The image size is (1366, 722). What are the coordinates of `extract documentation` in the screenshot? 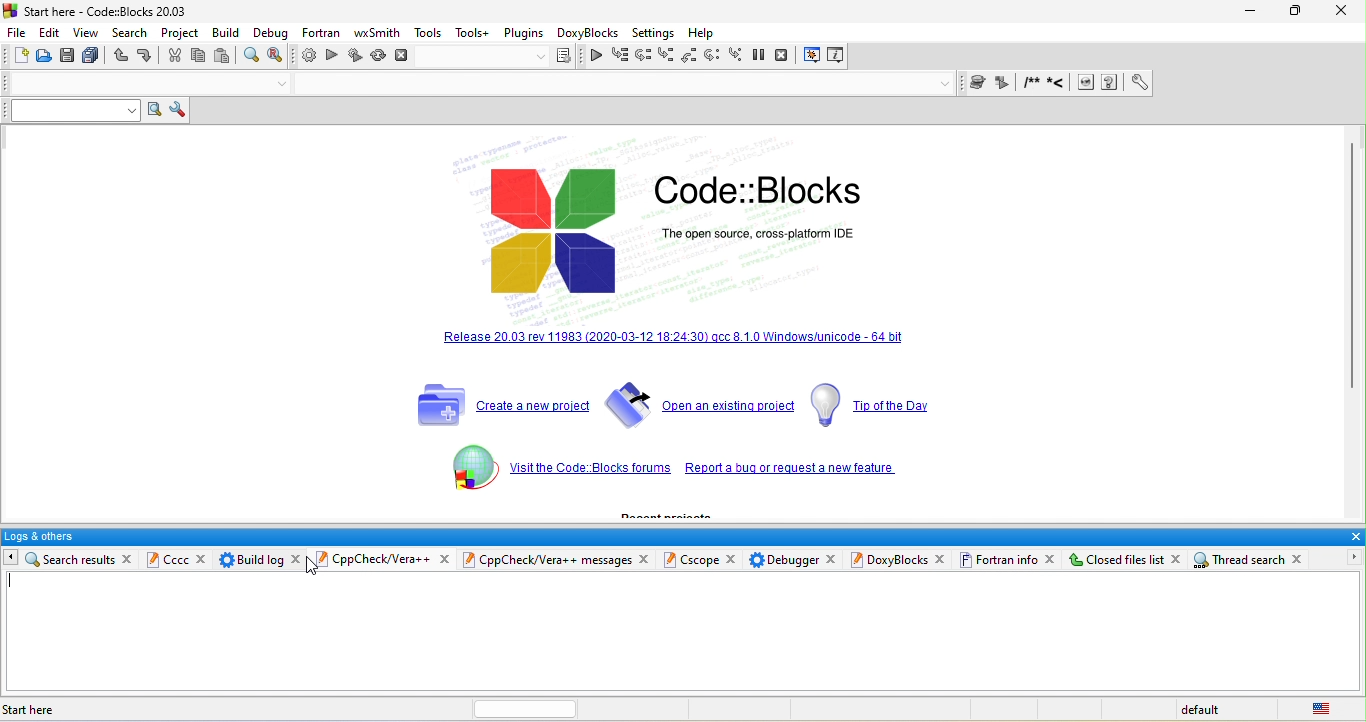 It's located at (1005, 83).